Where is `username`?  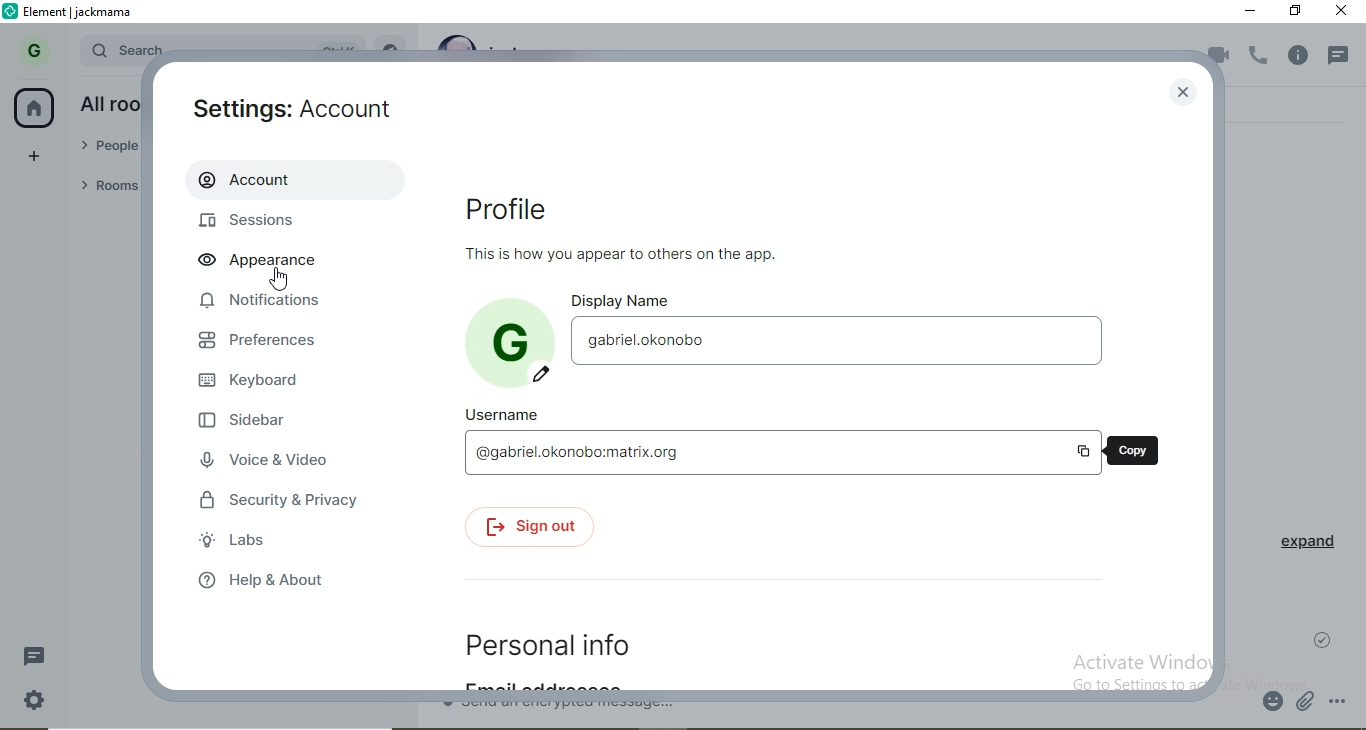 username is located at coordinates (513, 414).